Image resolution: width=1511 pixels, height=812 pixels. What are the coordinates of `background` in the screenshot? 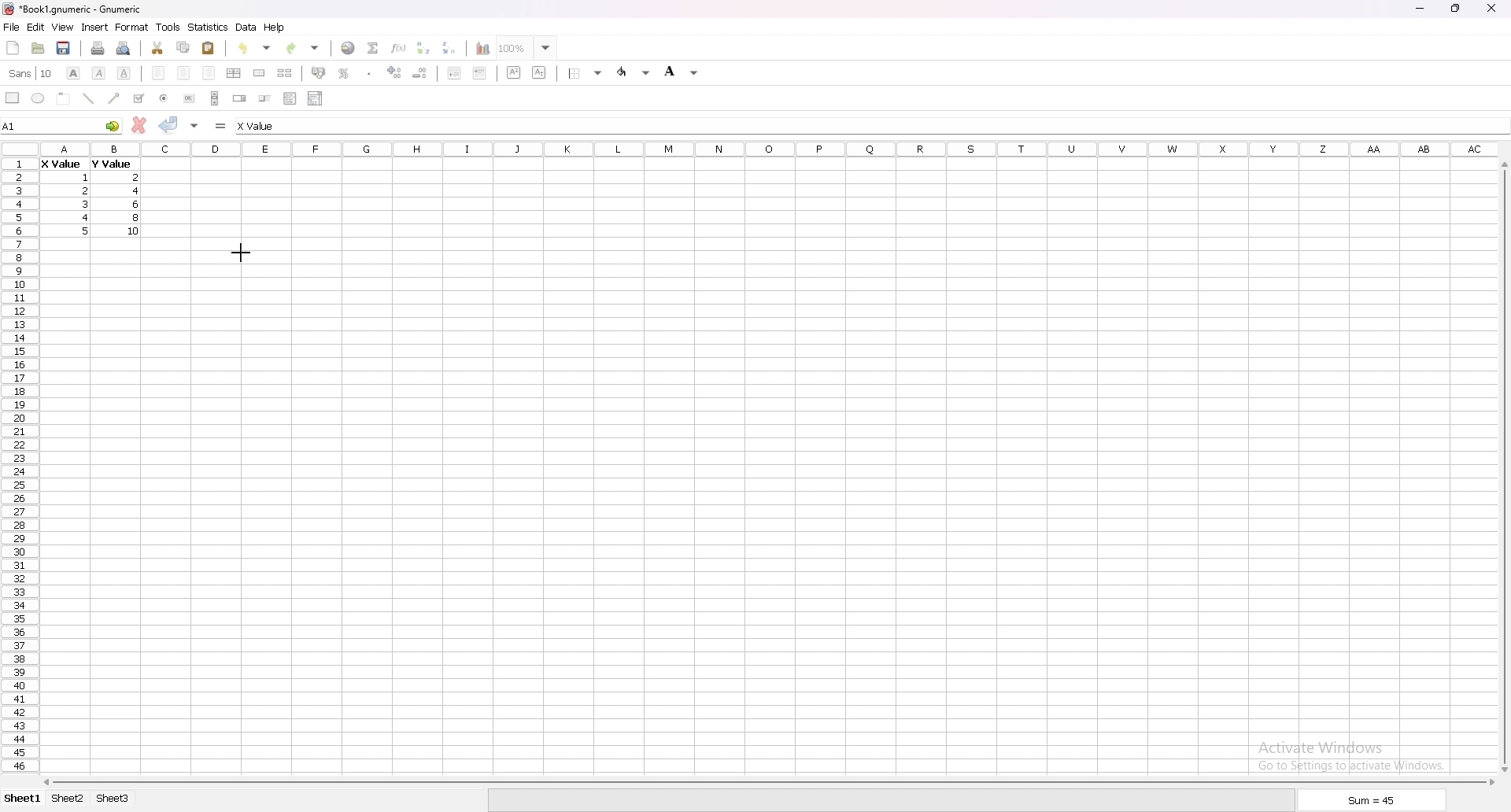 It's located at (682, 71).